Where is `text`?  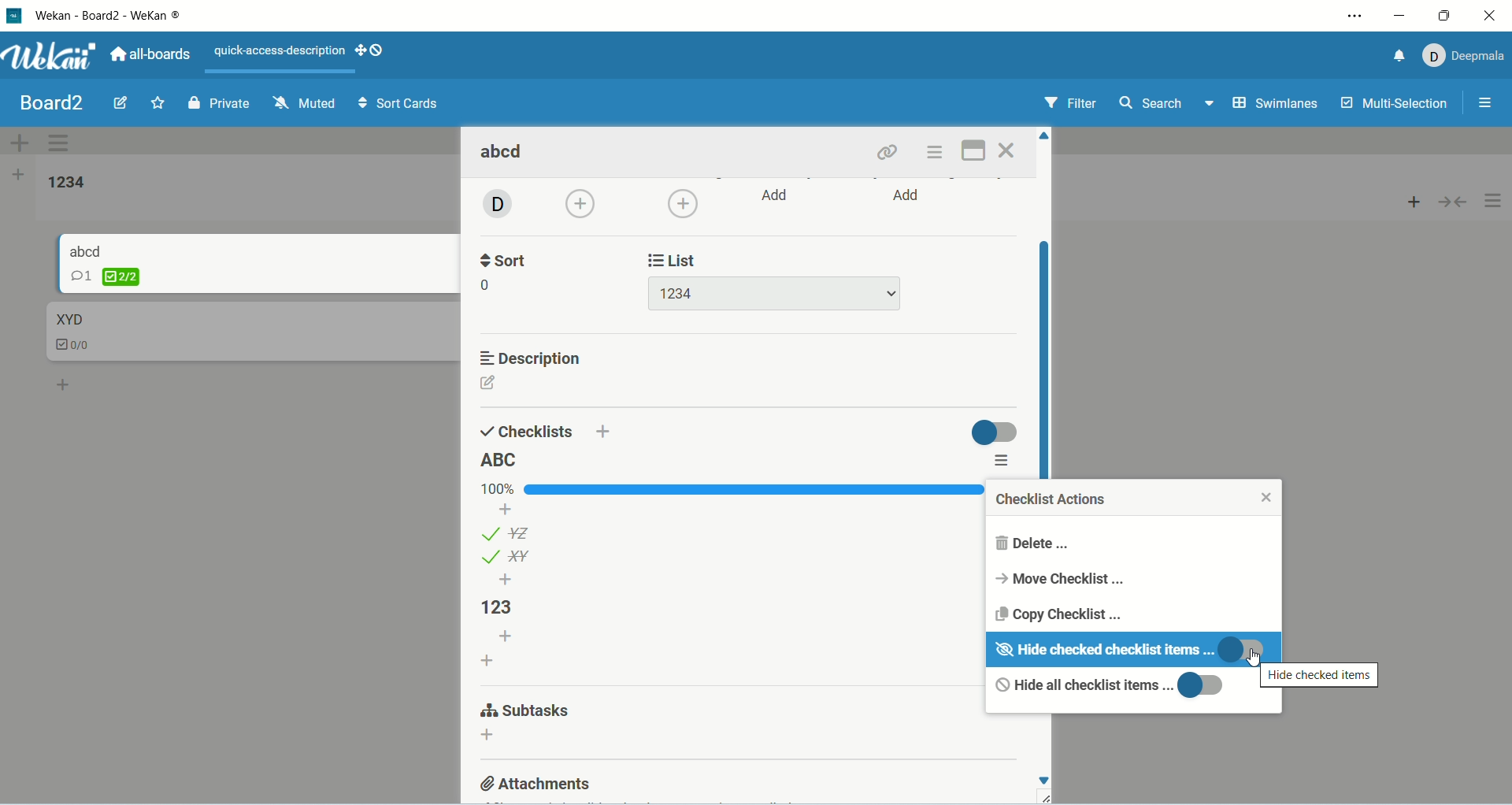 text is located at coordinates (280, 51).